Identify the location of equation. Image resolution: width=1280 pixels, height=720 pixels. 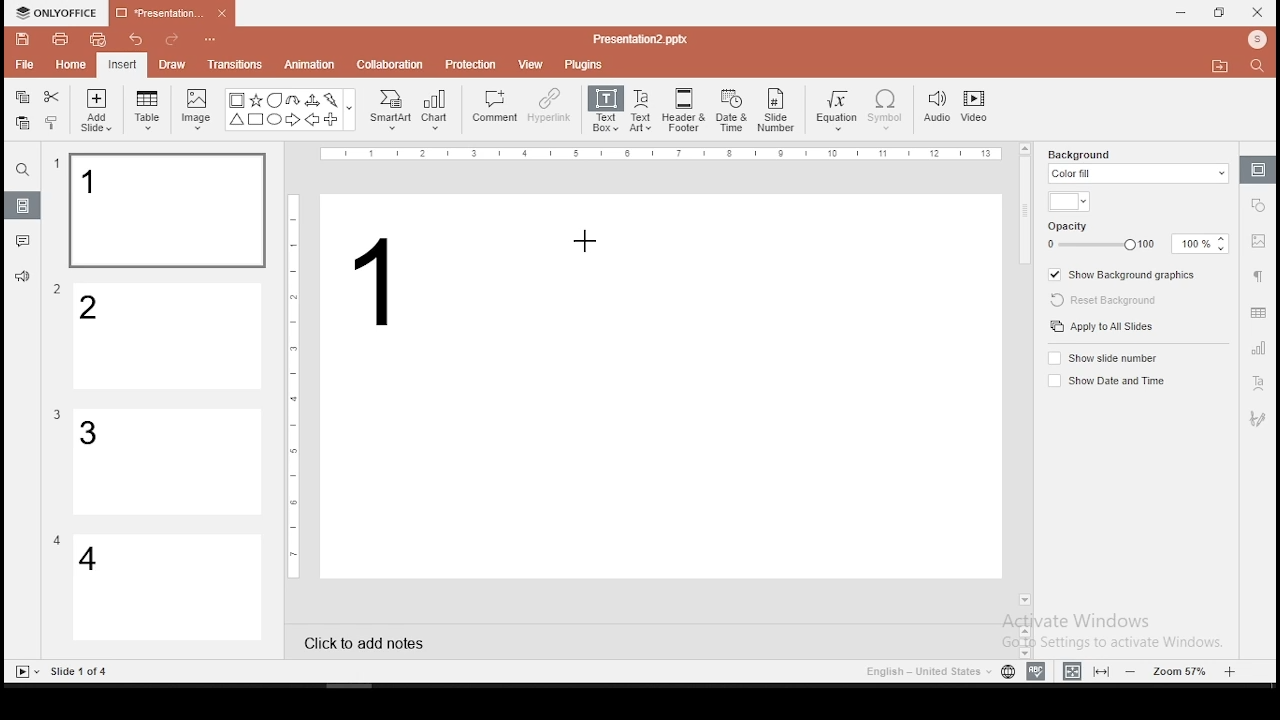
(835, 111).